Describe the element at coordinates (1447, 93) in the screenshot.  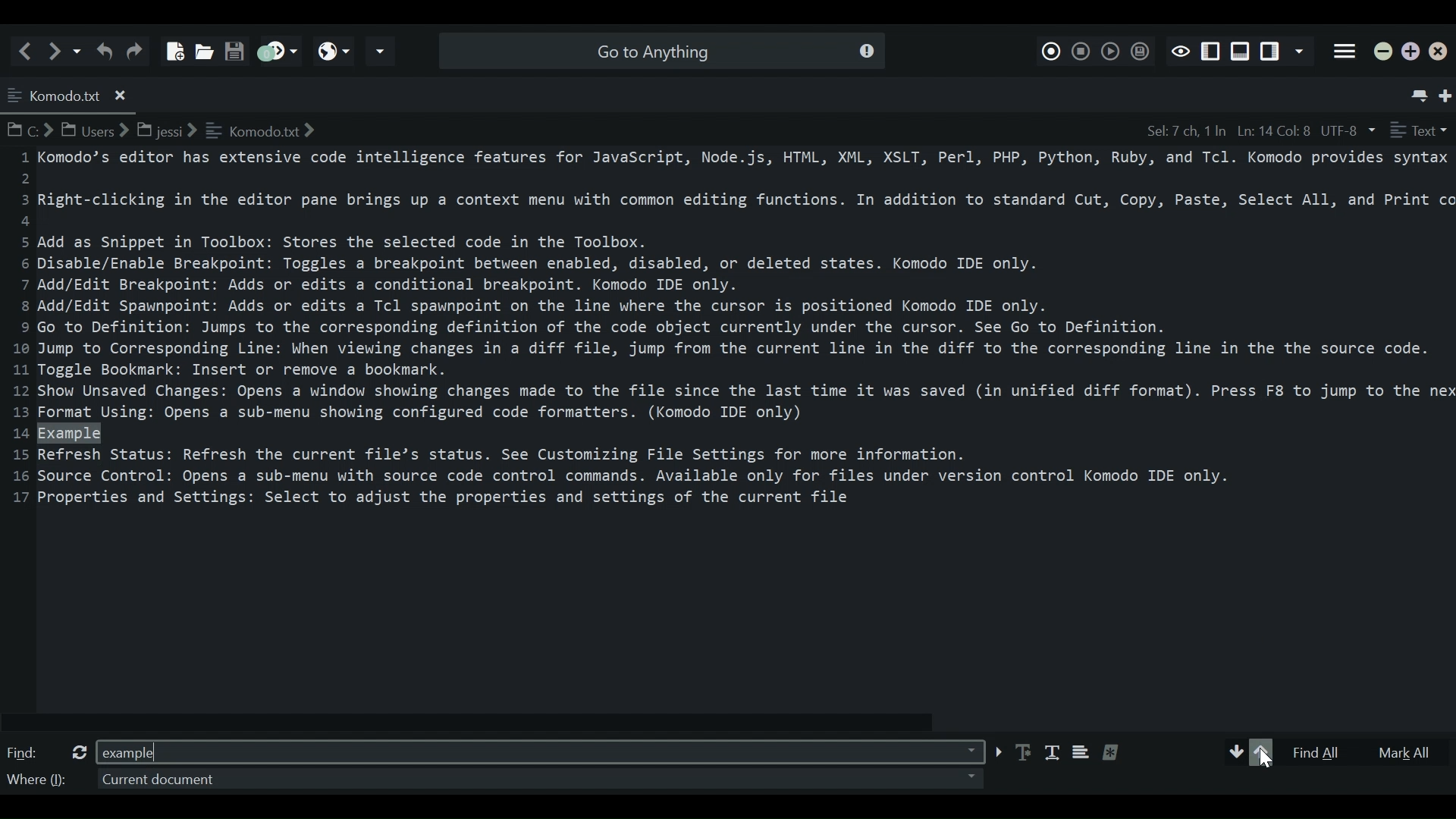
I see `New Tab` at that location.